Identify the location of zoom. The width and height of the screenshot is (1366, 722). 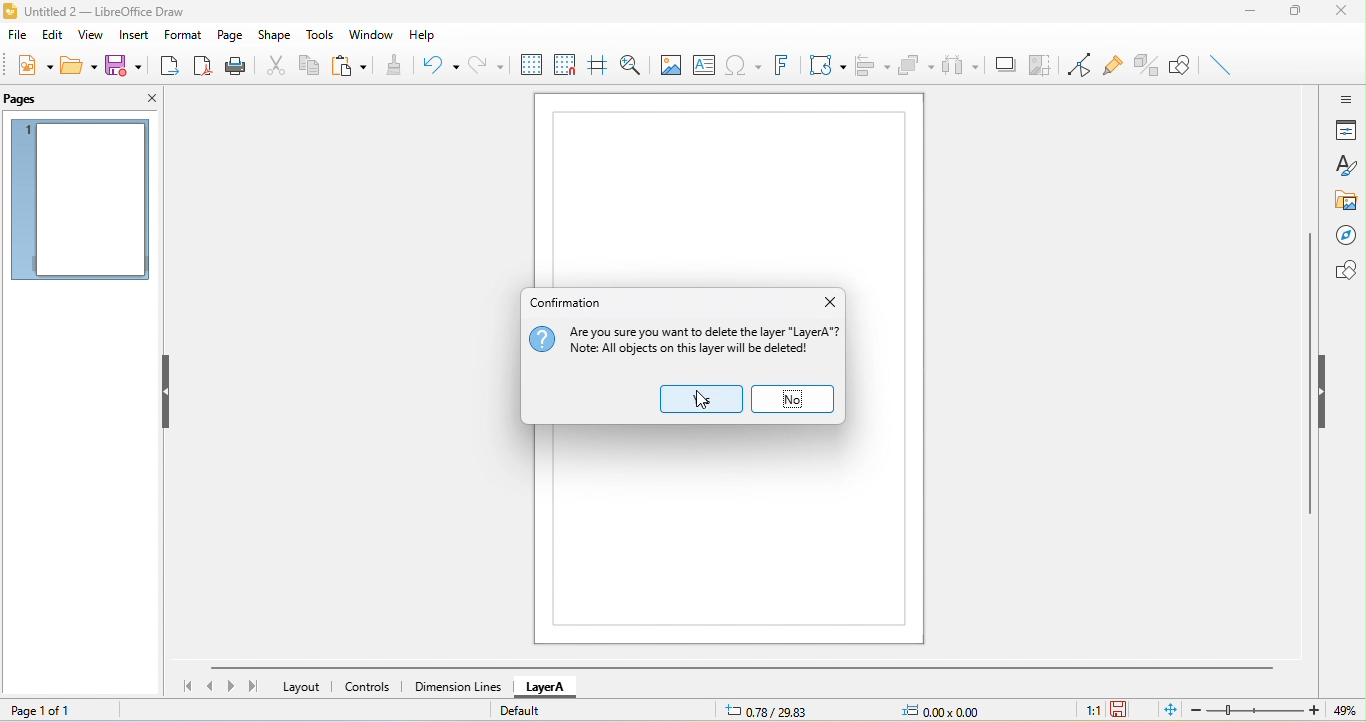
(1253, 710).